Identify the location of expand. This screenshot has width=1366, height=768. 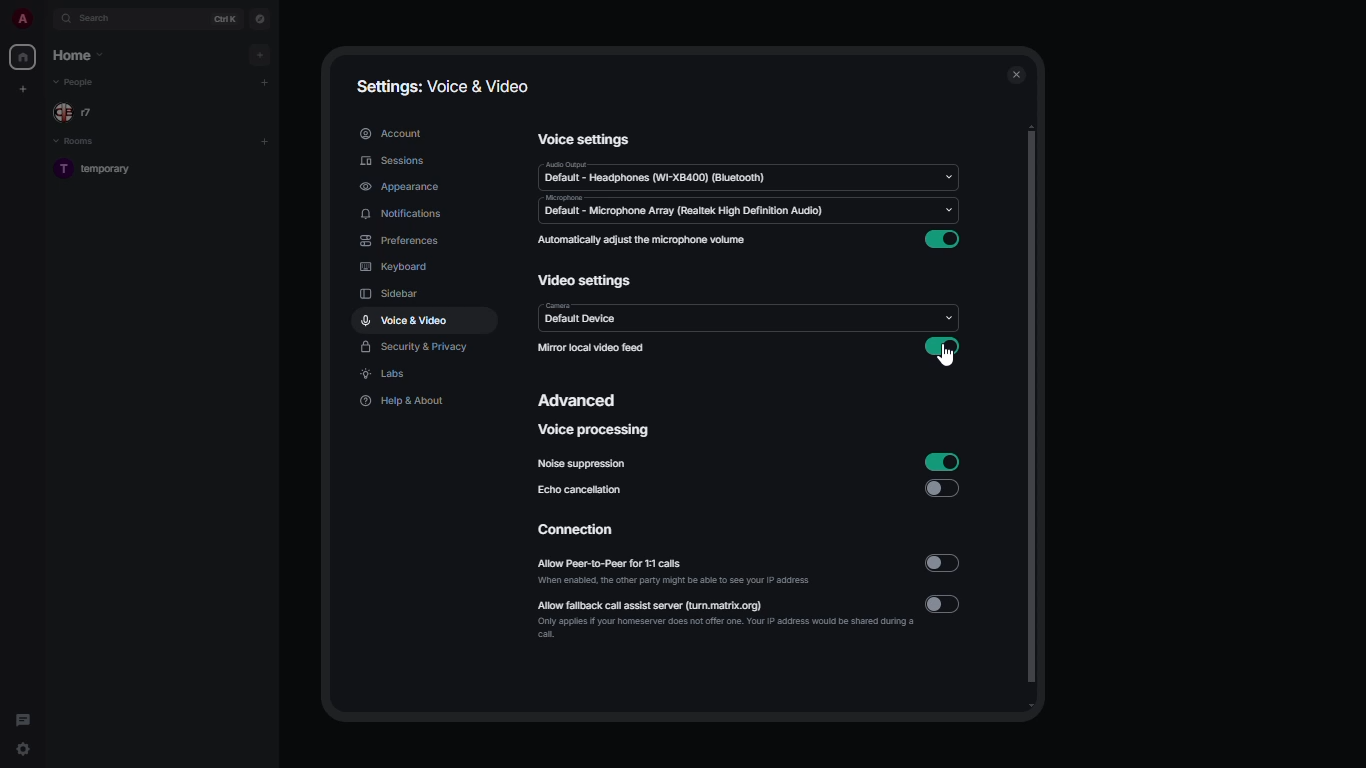
(45, 20).